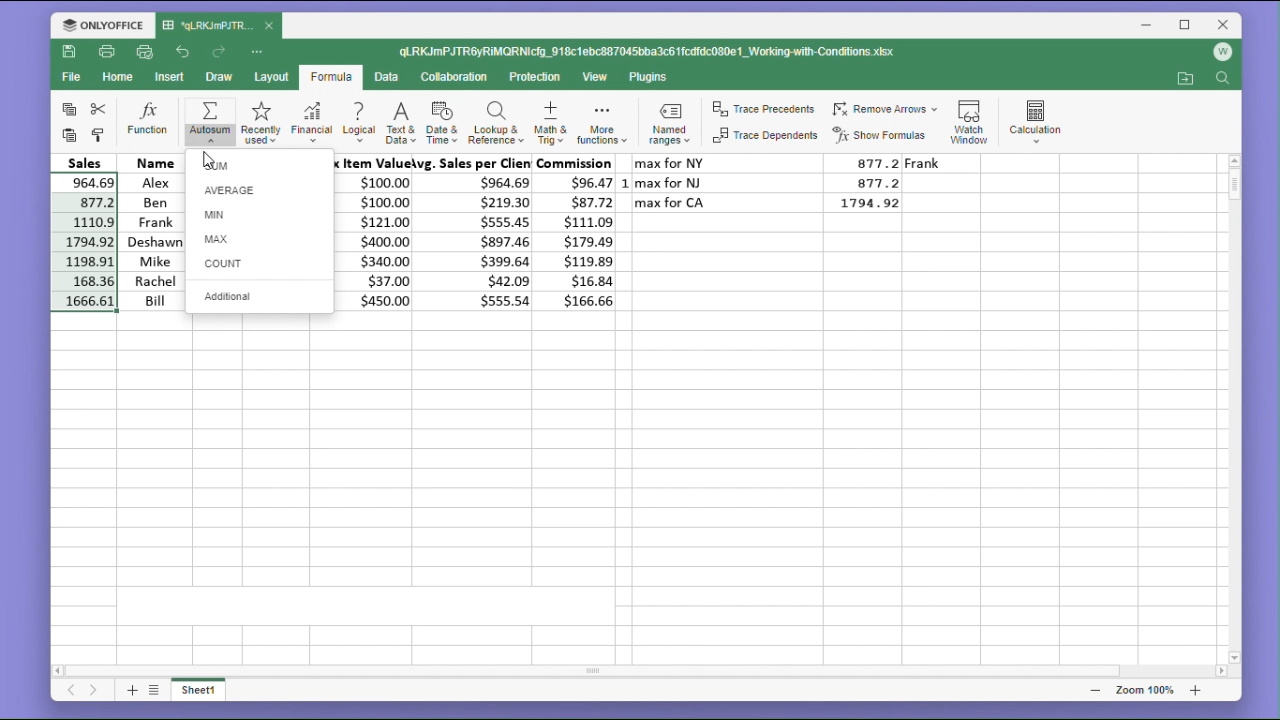  Describe the element at coordinates (972, 118) in the screenshot. I see `watch window` at that location.